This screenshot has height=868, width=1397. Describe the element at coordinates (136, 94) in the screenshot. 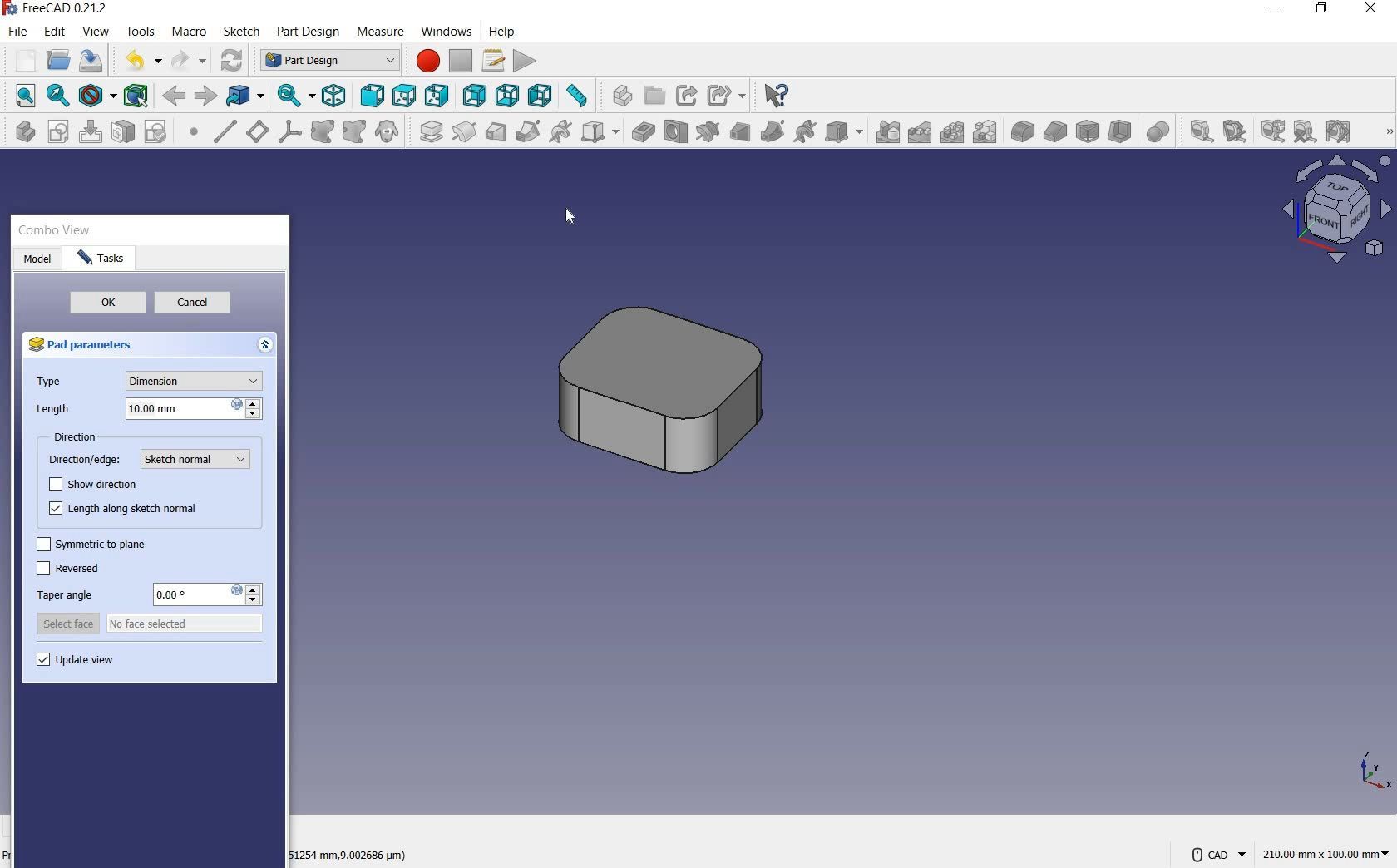

I see `bounding box` at that location.